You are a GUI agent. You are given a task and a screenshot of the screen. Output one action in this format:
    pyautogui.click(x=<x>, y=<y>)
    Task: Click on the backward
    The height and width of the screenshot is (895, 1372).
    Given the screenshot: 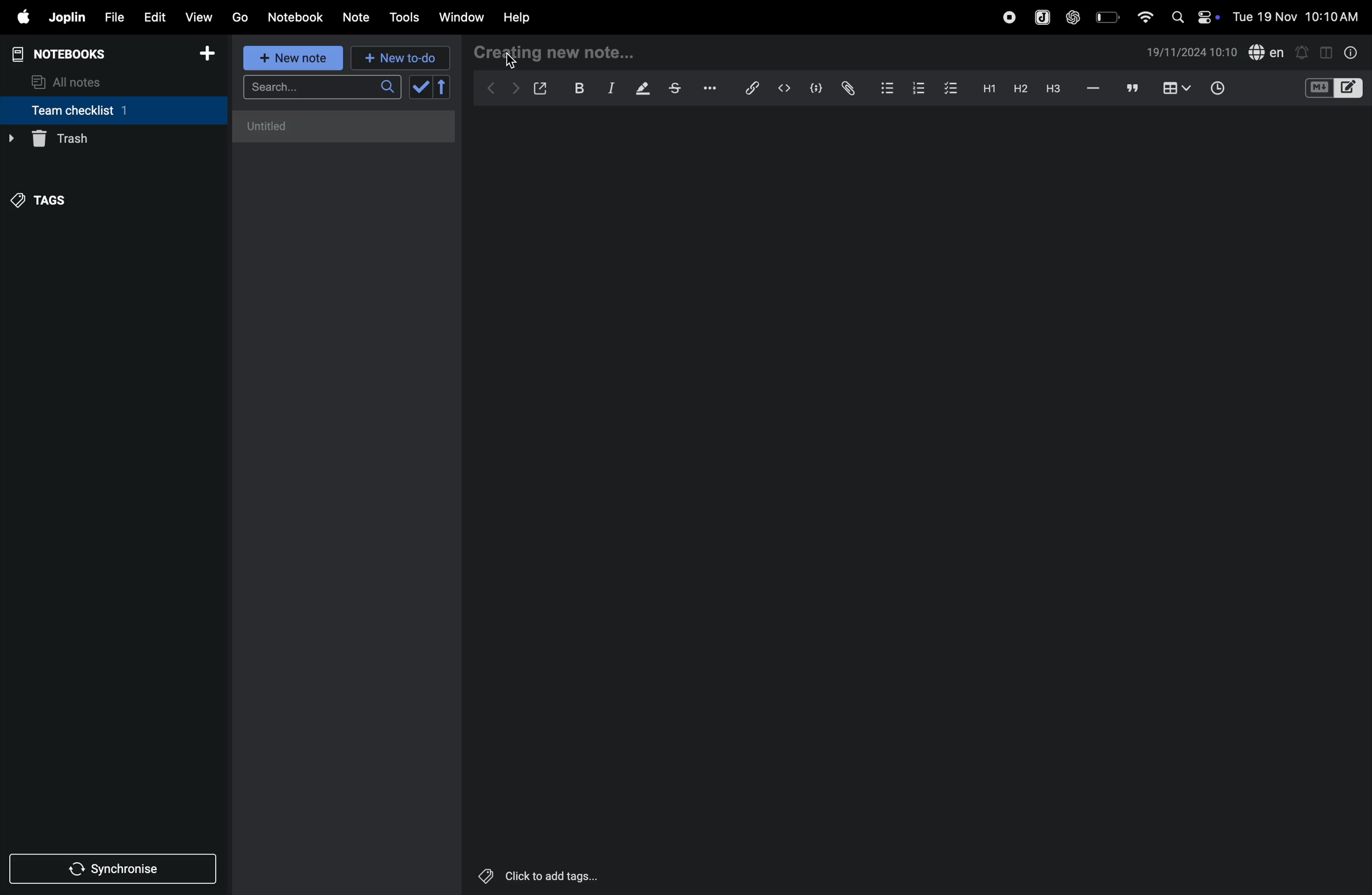 What is the action you would take?
    pyautogui.click(x=485, y=88)
    